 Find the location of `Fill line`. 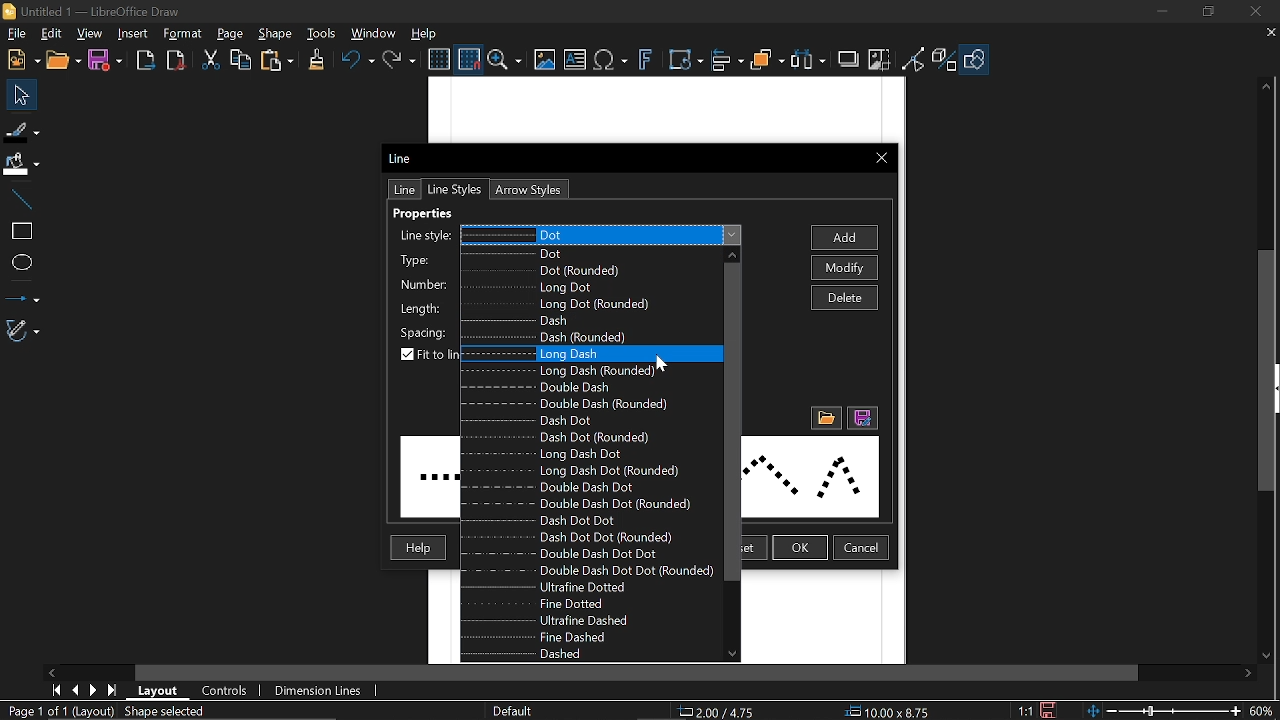

Fill line is located at coordinates (22, 130).